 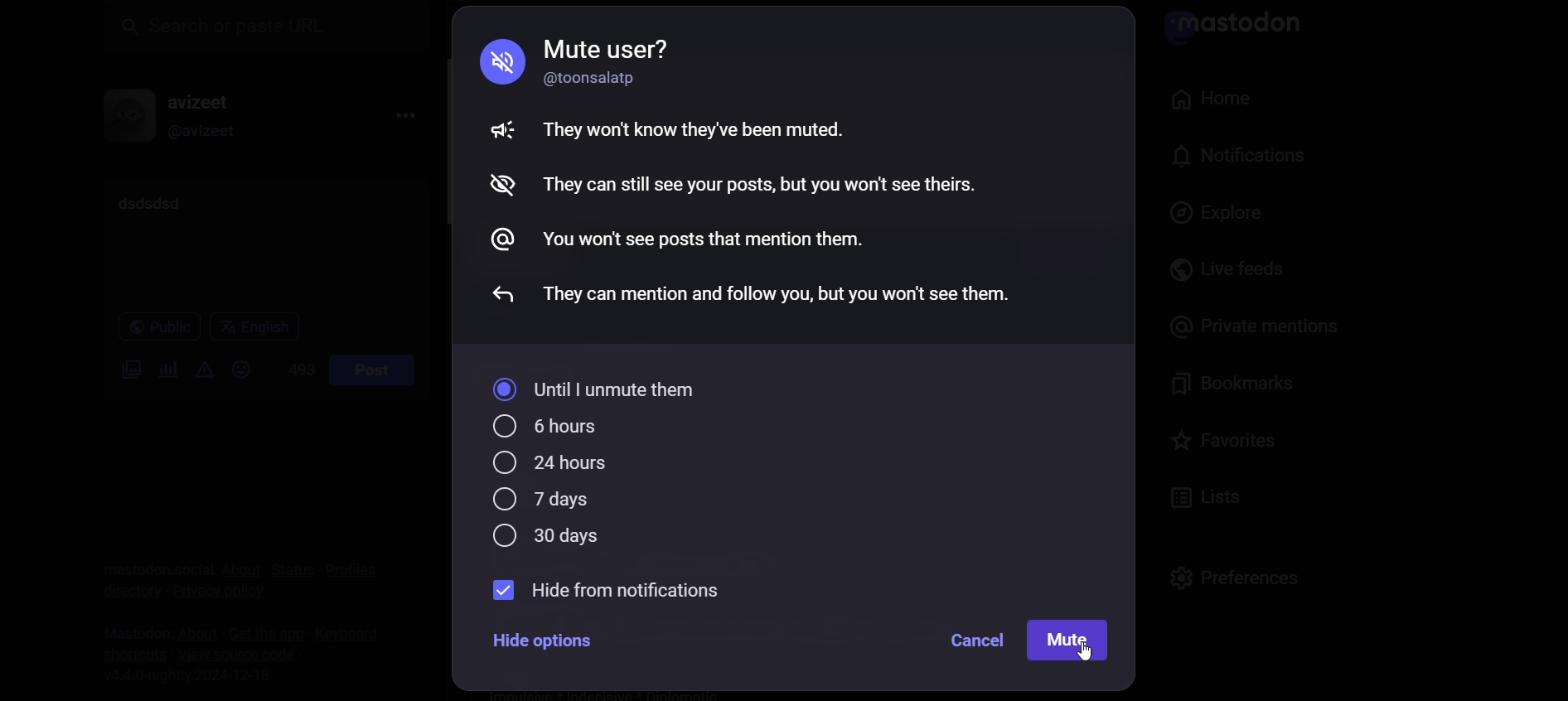 I want to click on content warning, so click(x=198, y=372).